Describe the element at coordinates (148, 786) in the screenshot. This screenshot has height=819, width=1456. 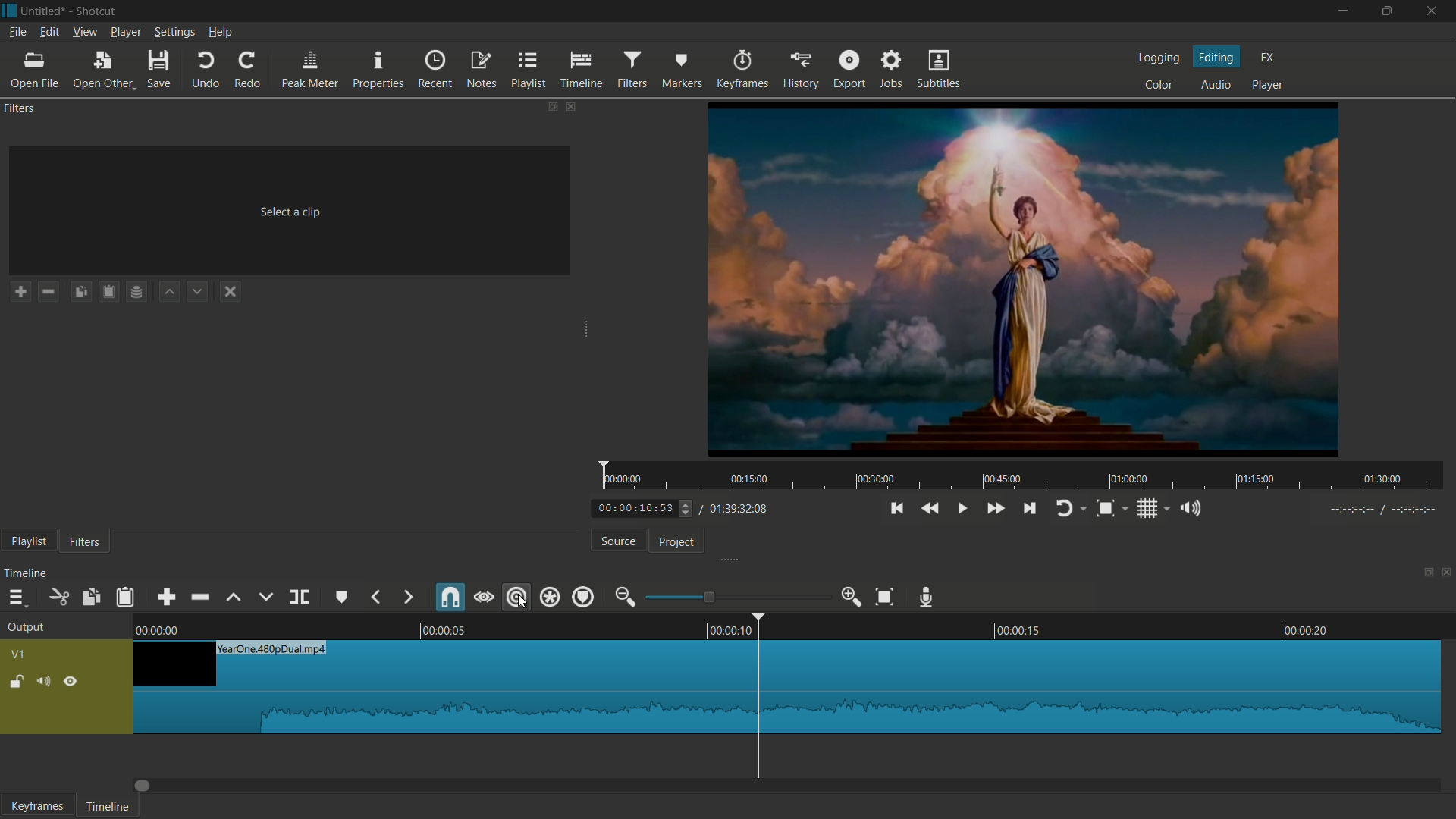
I see `move video forward` at that location.